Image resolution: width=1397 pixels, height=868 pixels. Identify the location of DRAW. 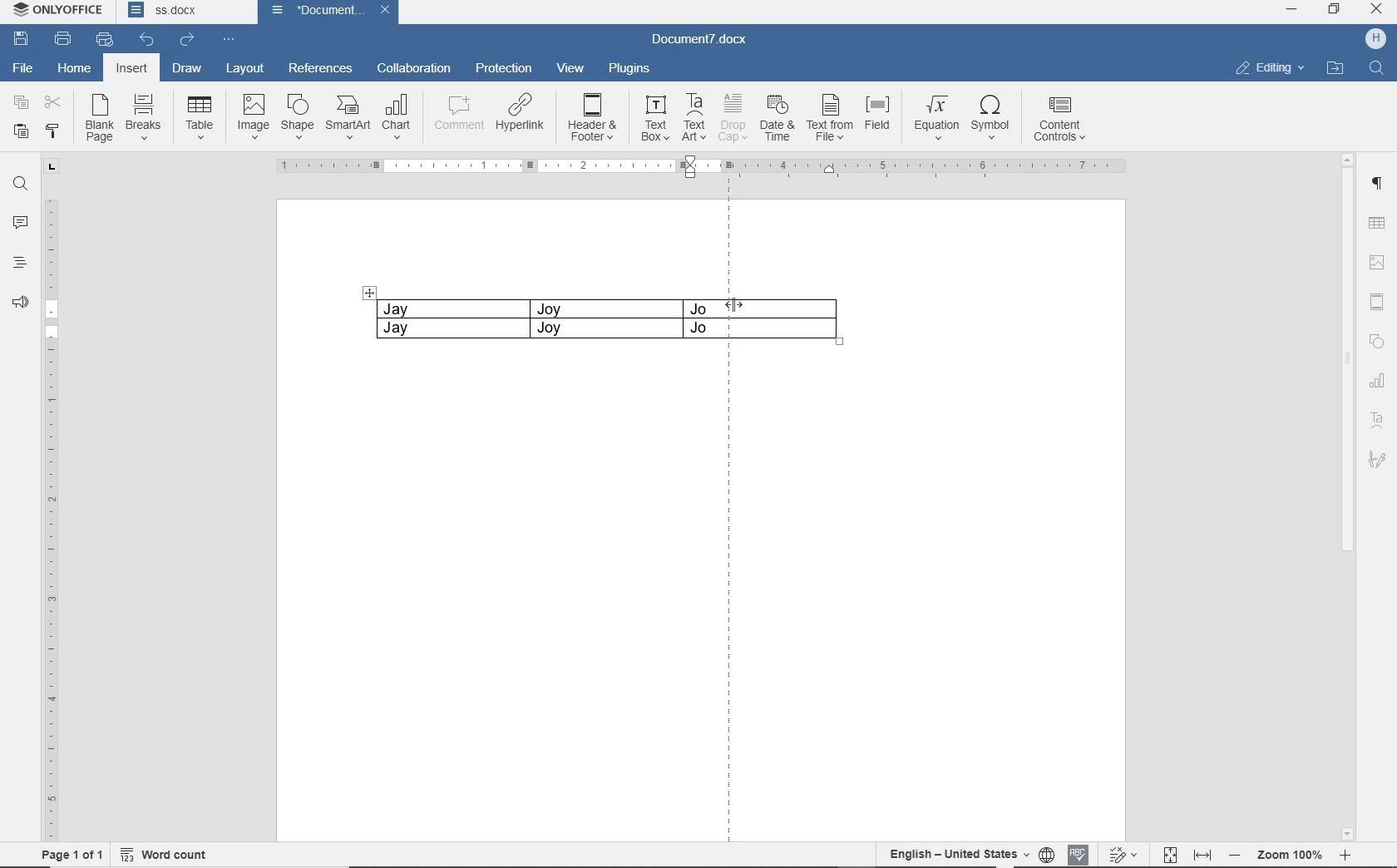
(186, 67).